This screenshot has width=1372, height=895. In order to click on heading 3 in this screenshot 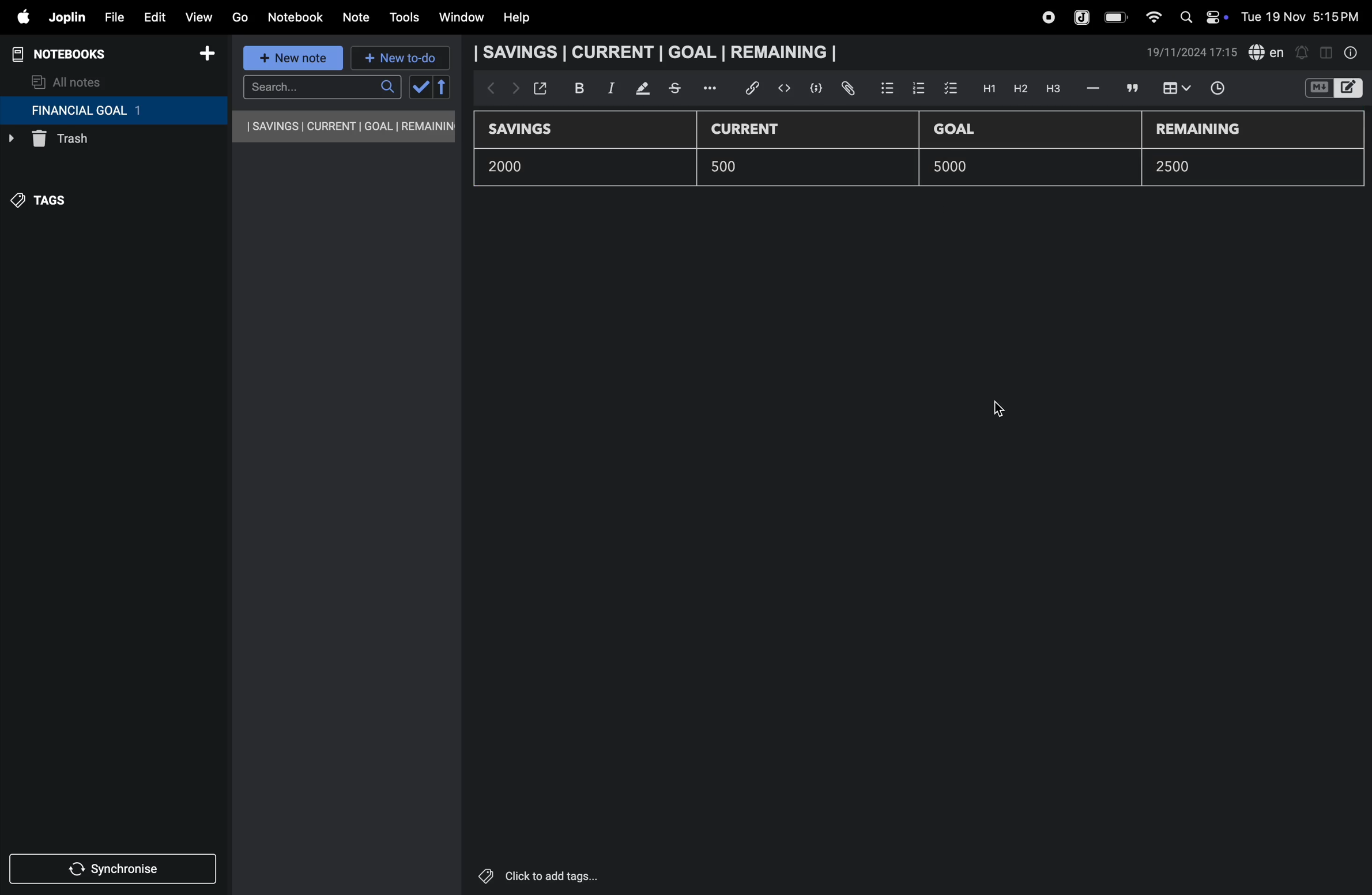, I will do `click(1053, 89)`.